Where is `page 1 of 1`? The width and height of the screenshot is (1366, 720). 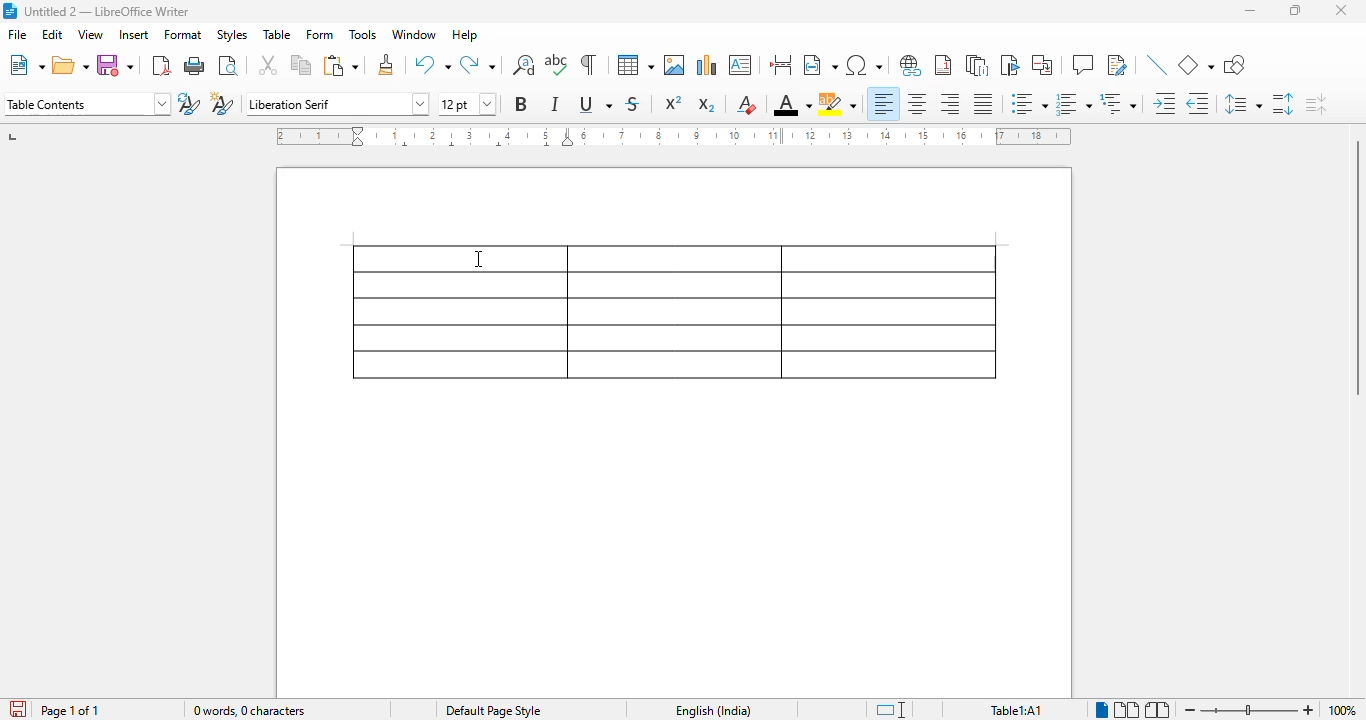
page 1 of 1 is located at coordinates (70, 710).